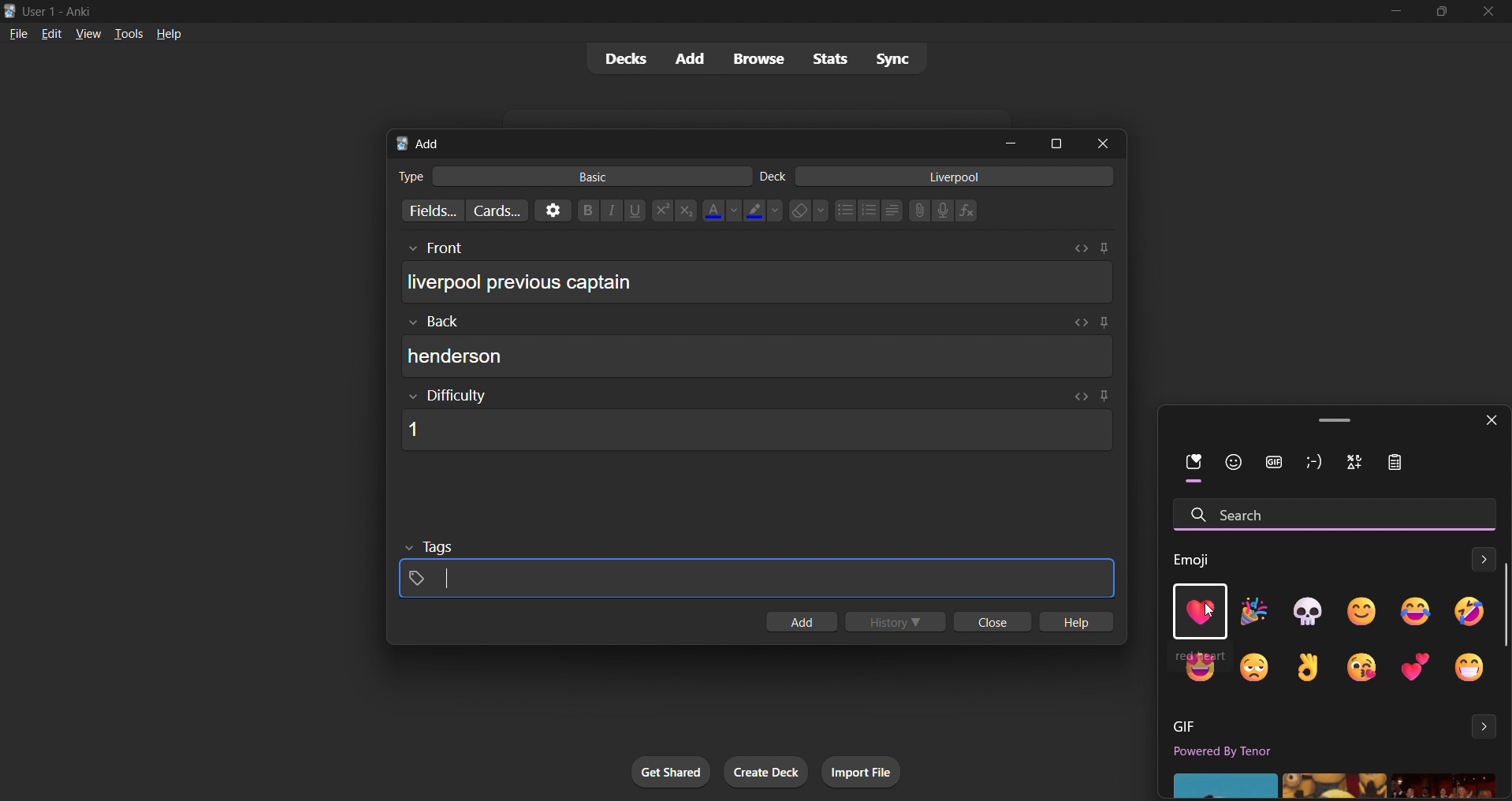  What do you see at coordinates (940, 179) in the screenshot?
I see `card deck input box` at bounding box center [940, 179].